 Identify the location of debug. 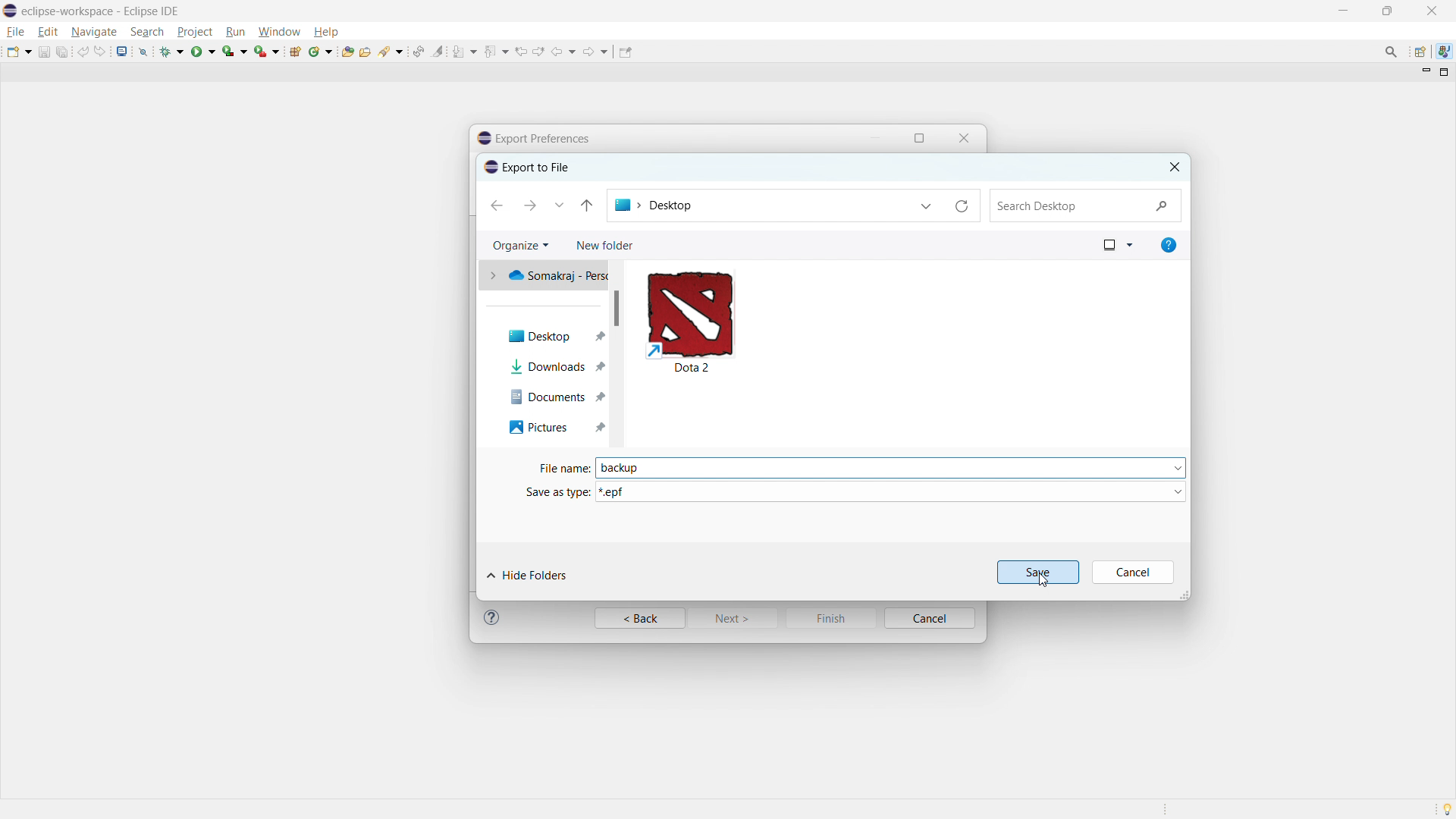
(172, 52).